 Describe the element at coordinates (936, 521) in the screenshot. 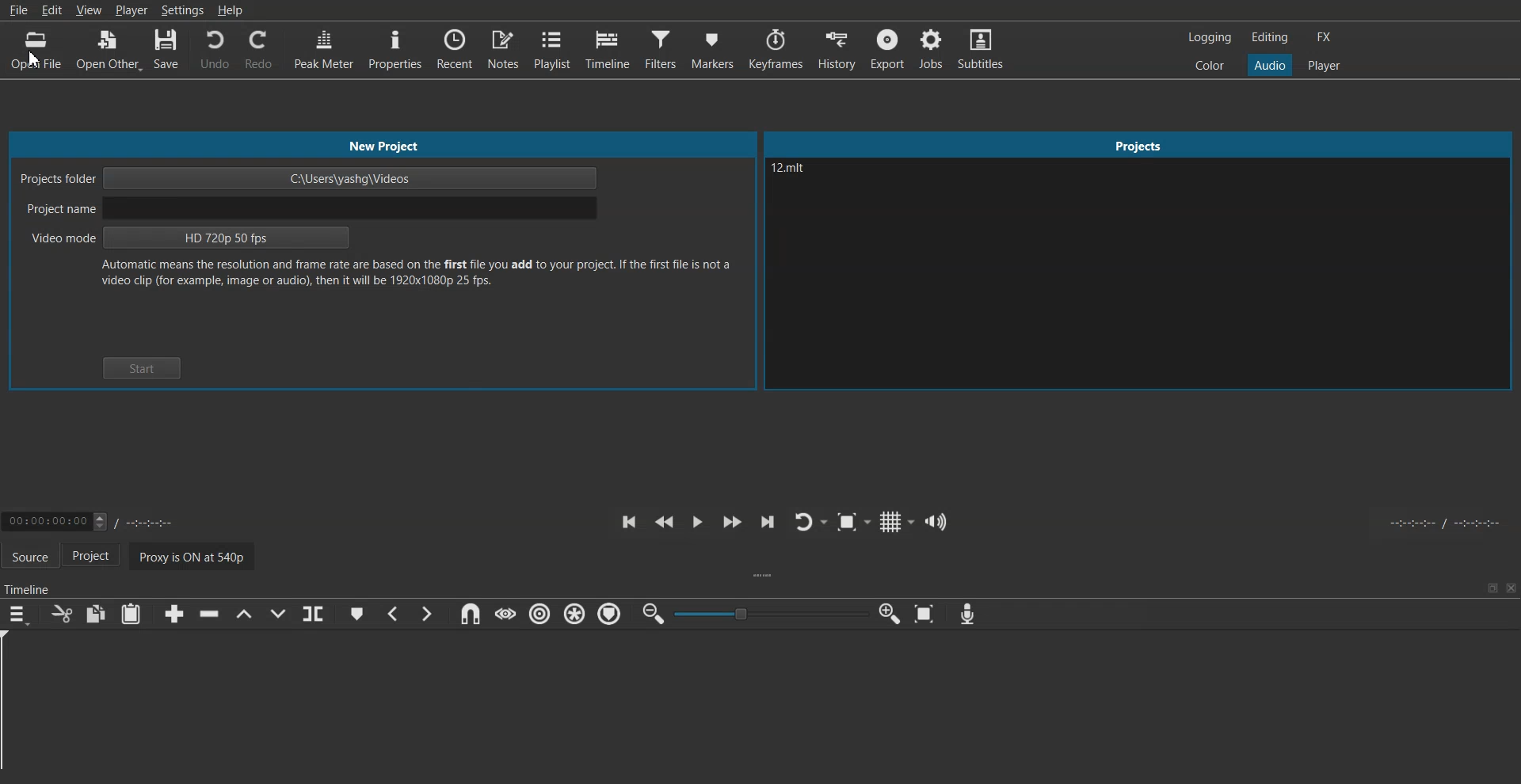

I see `Show the volume control` at that location.